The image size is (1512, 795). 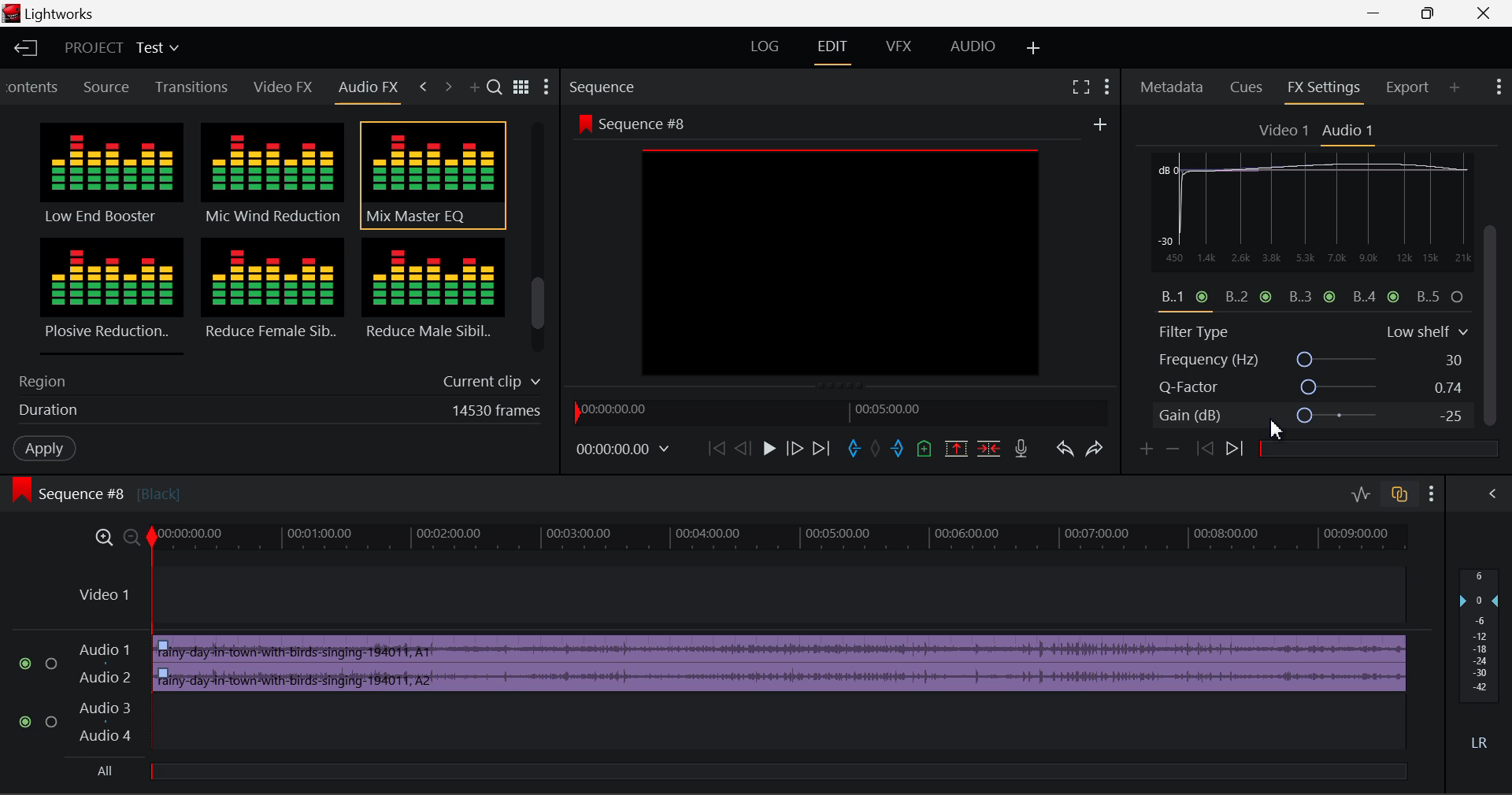 What do you see at coordinates (24, 48) in the screenshot?
I see `Back to Homepage` at bounding box center [24, 48].